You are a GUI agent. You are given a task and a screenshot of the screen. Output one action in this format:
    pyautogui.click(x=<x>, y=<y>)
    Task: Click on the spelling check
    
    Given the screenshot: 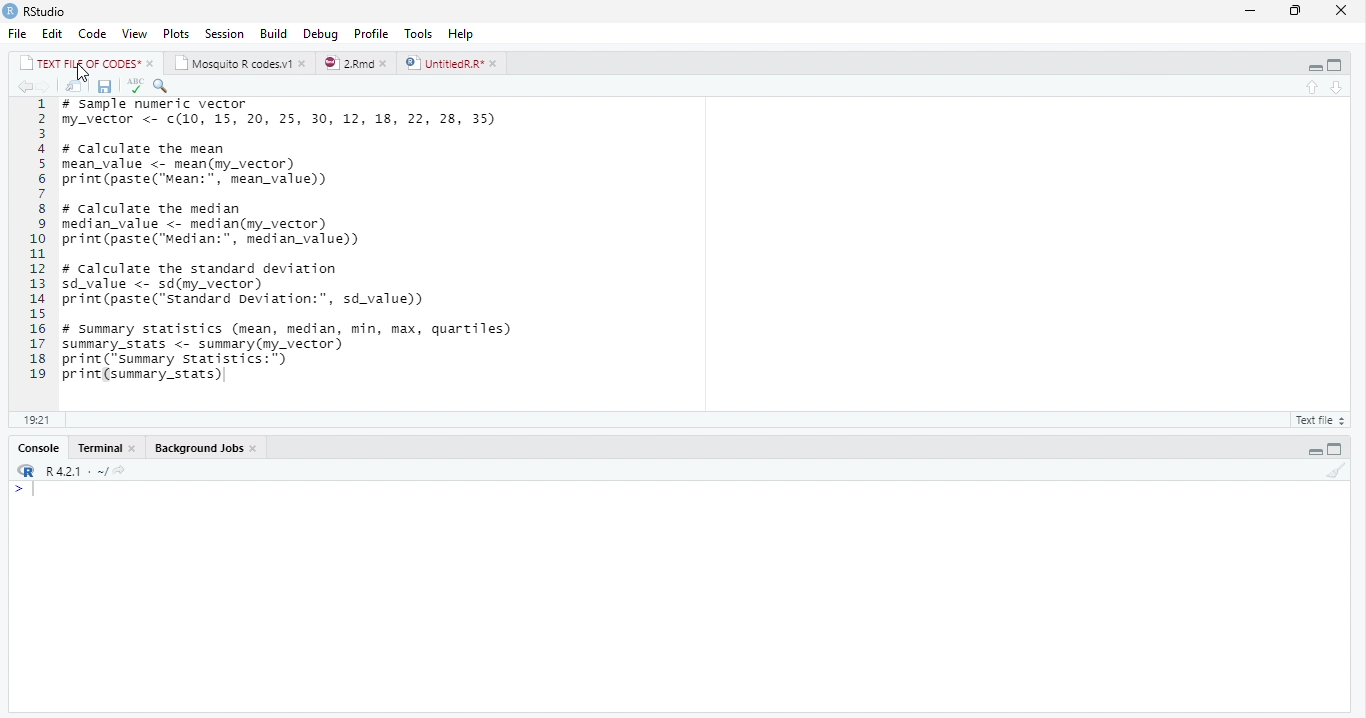 What is the action you would take?
    pyautogui.click(x=135, y=86)
    